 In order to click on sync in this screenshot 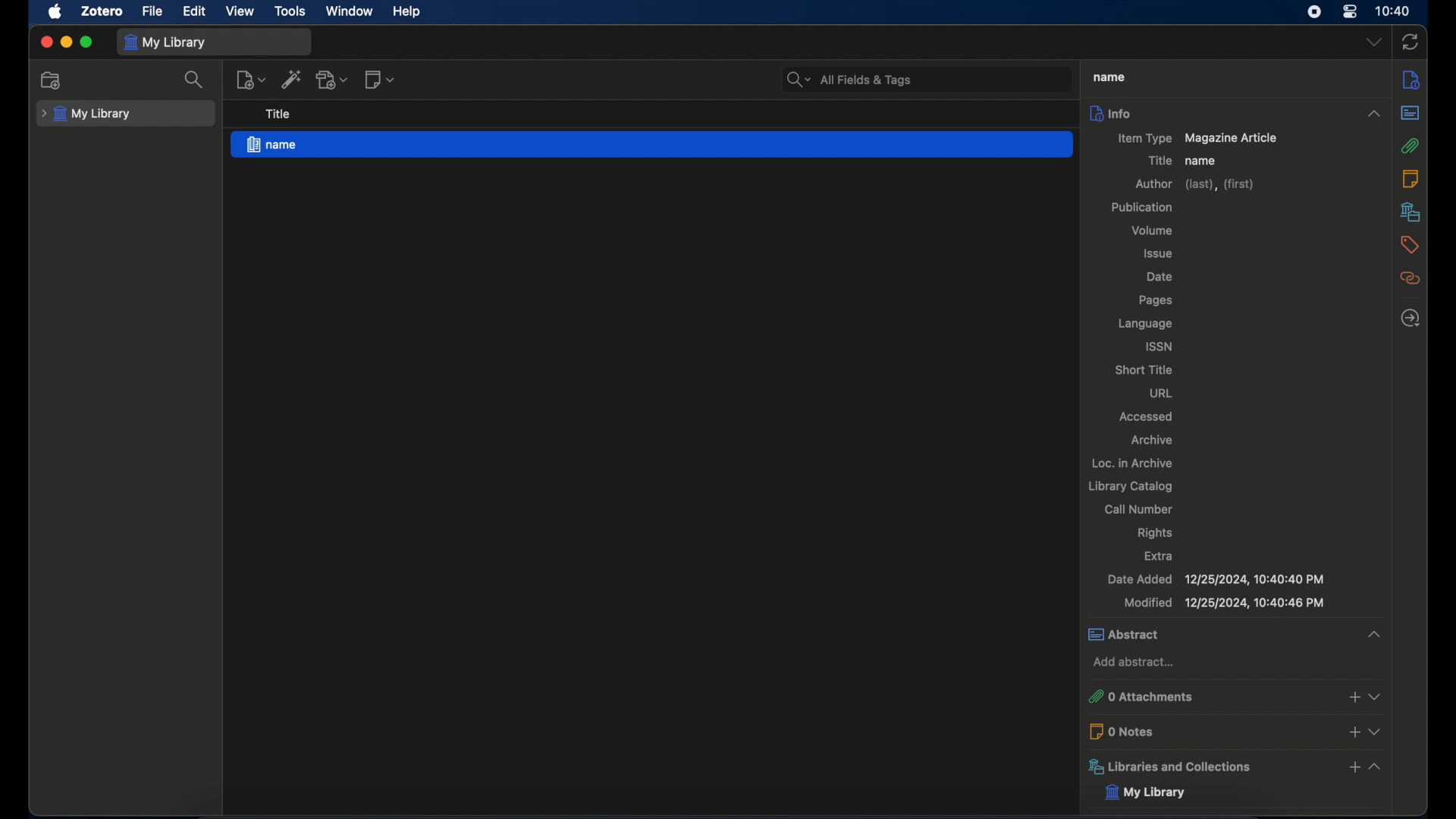, I will do `click(1410, 43)`.